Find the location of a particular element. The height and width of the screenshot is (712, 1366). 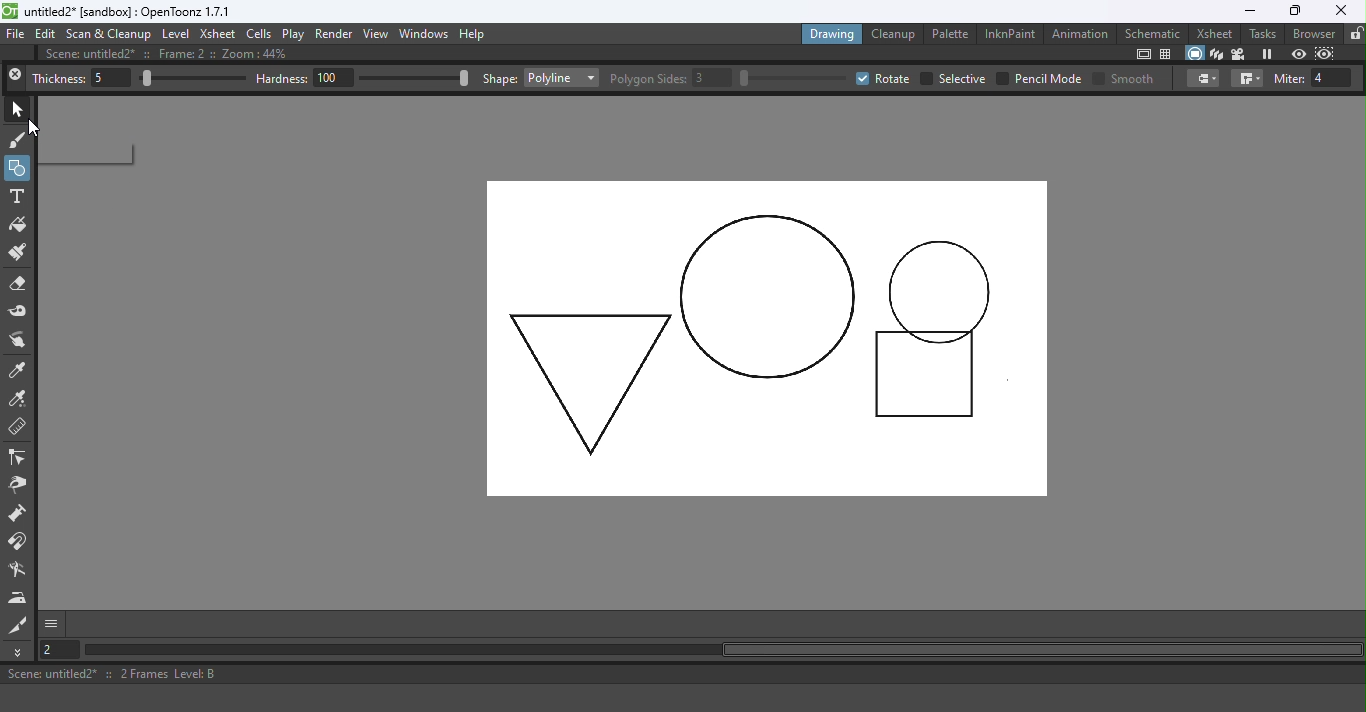

Hardness is located at coordinates (305, 79).